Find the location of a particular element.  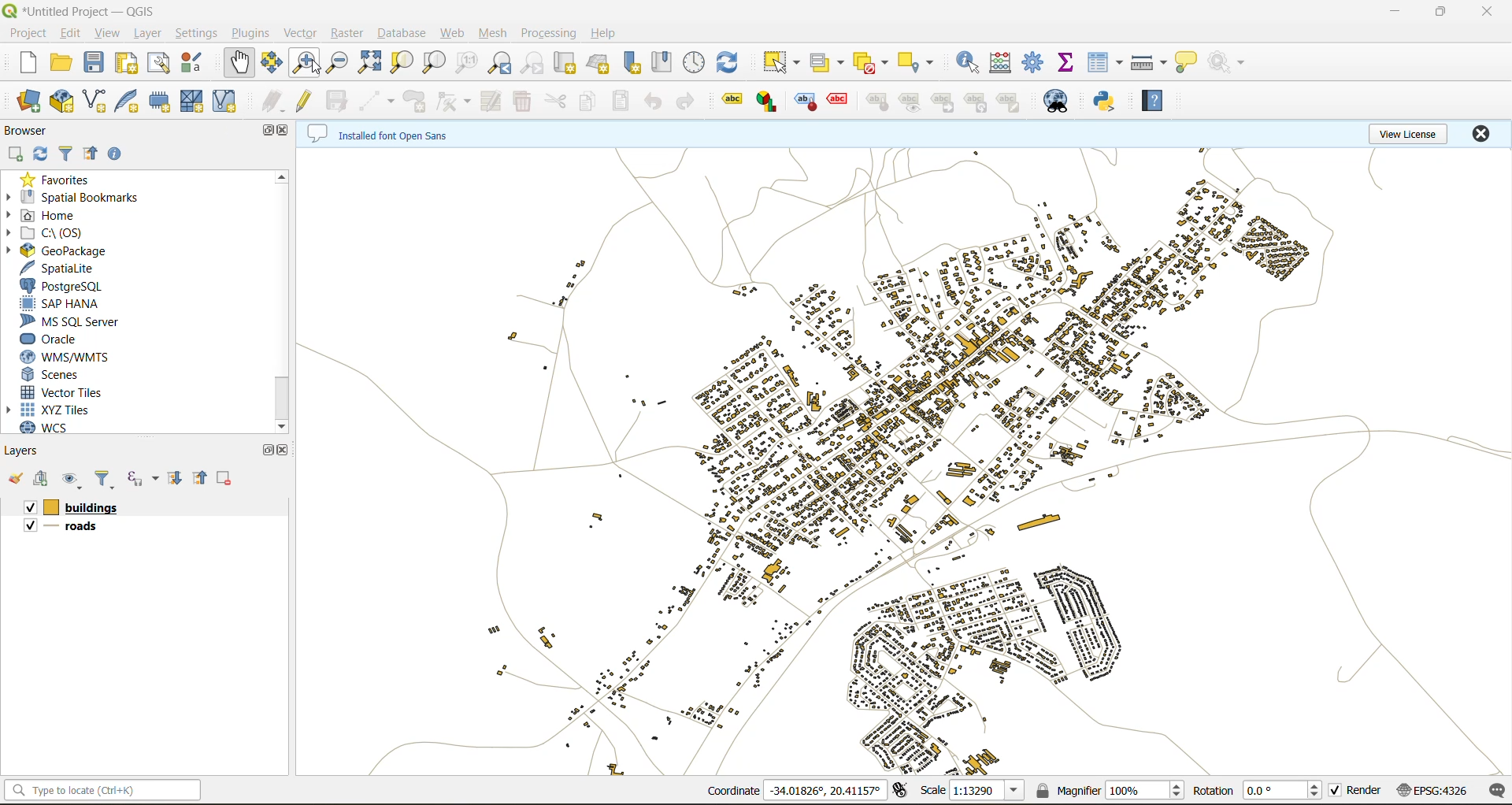

web is located at coordinates (454, 32).